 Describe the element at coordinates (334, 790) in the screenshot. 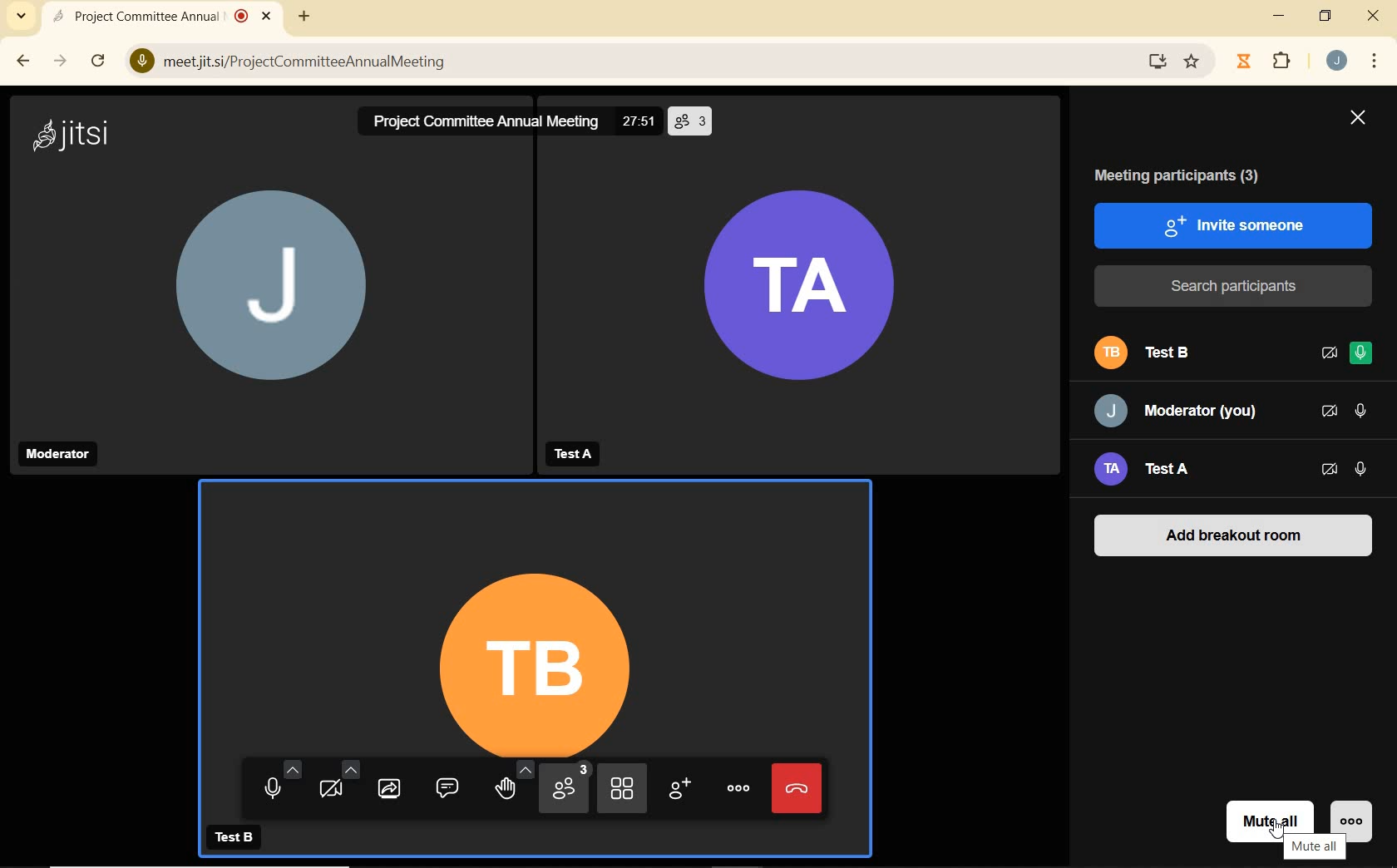

I see `CAMERA` at that location.